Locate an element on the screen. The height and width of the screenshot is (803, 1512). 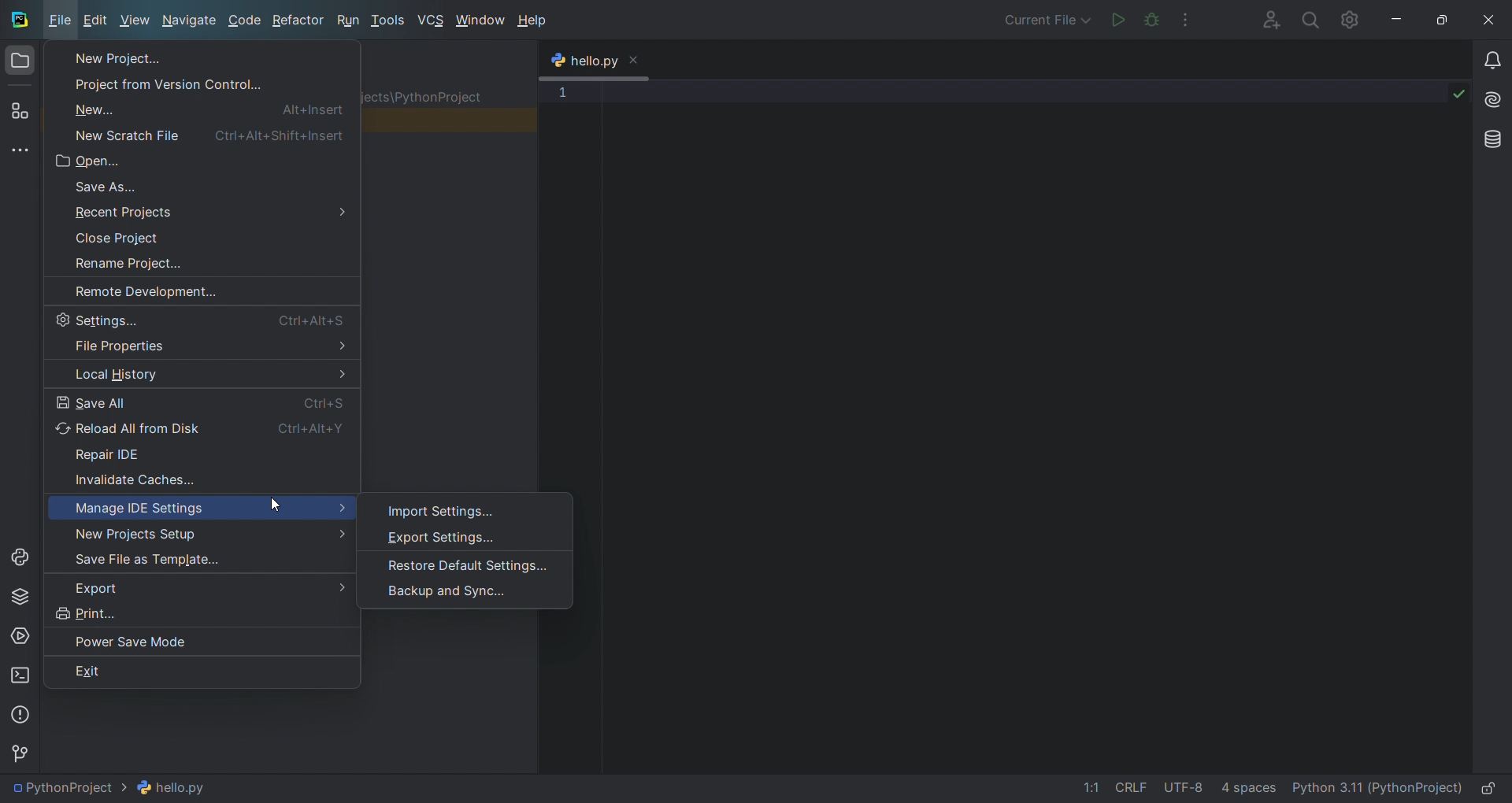
problems is located at coordinates (20, 716).